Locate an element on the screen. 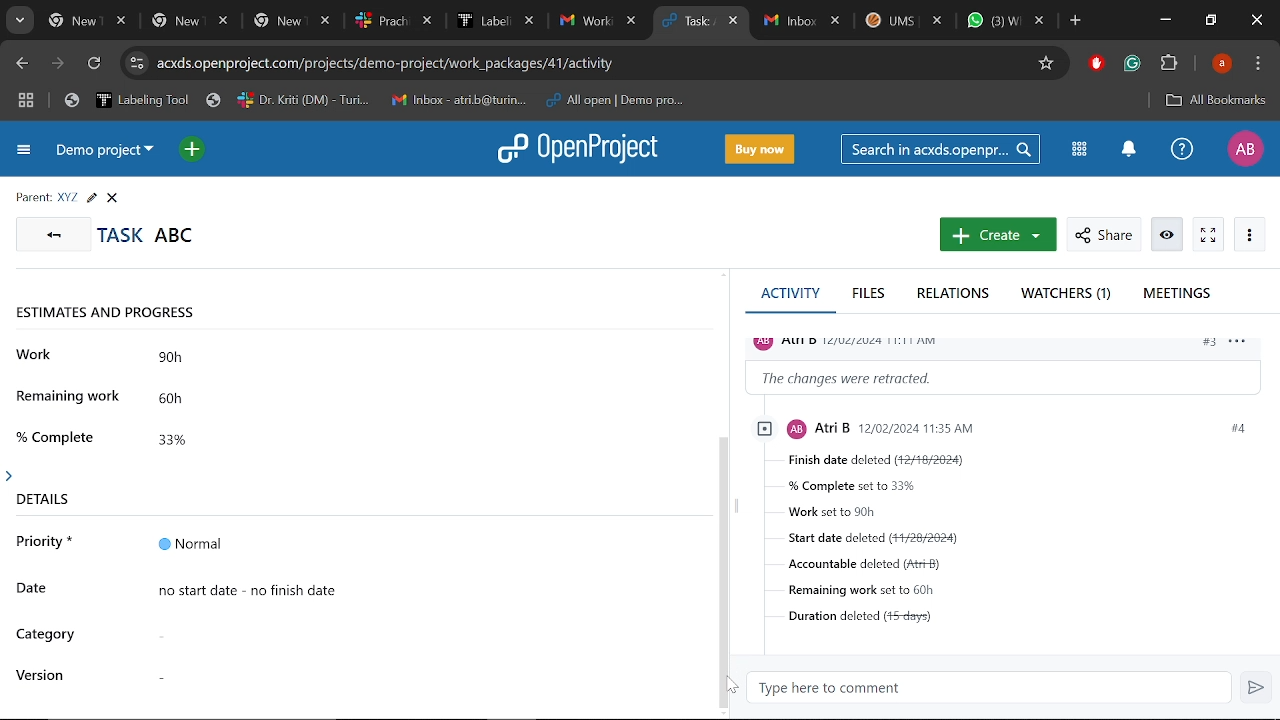 This screenshot has height=720, width=1280. #4 is located at coordinates (1236, 428).